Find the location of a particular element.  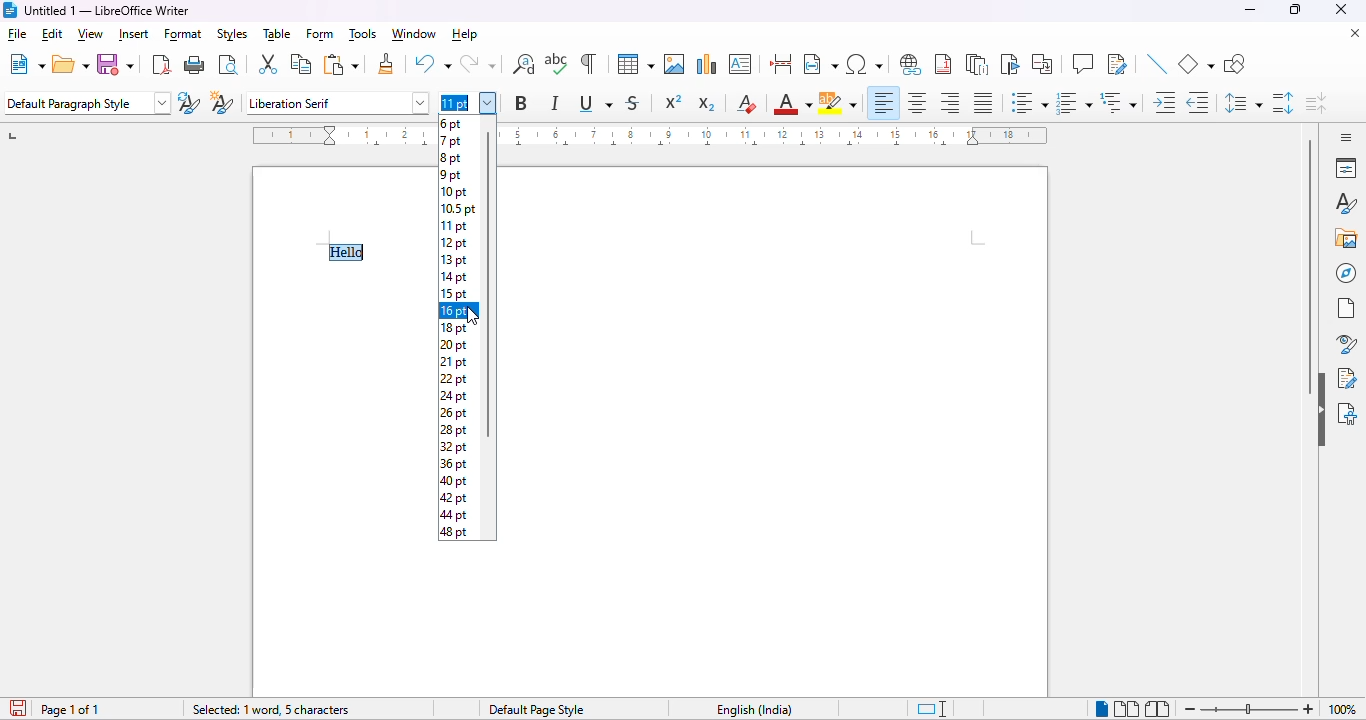

align center is located at coordinates (918, 104).